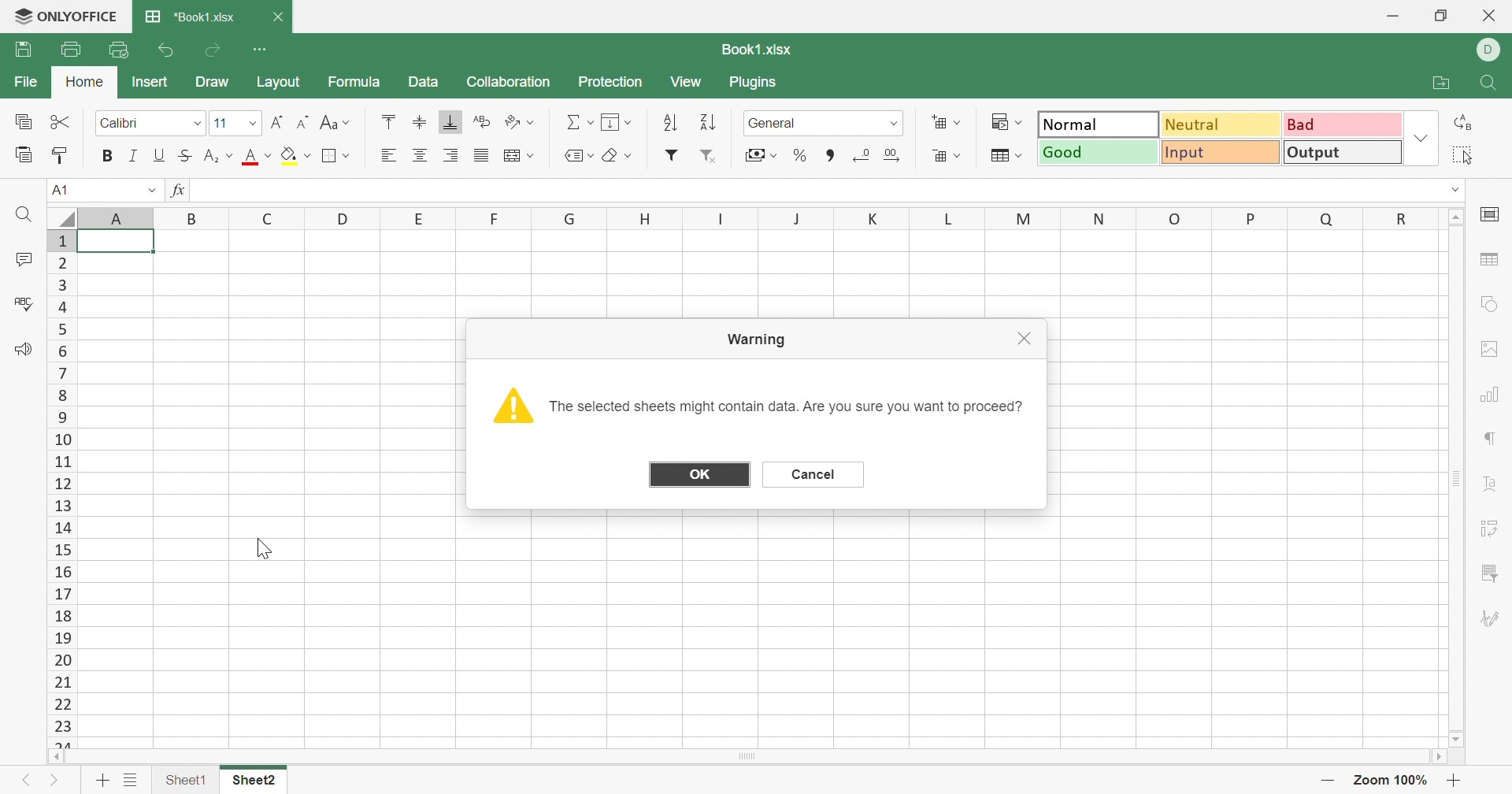 The width and height of the screenshot is (1512, 794). Describe the element at coordinates (533, 155) in the screenshot. I see `Drop Down` at that location.